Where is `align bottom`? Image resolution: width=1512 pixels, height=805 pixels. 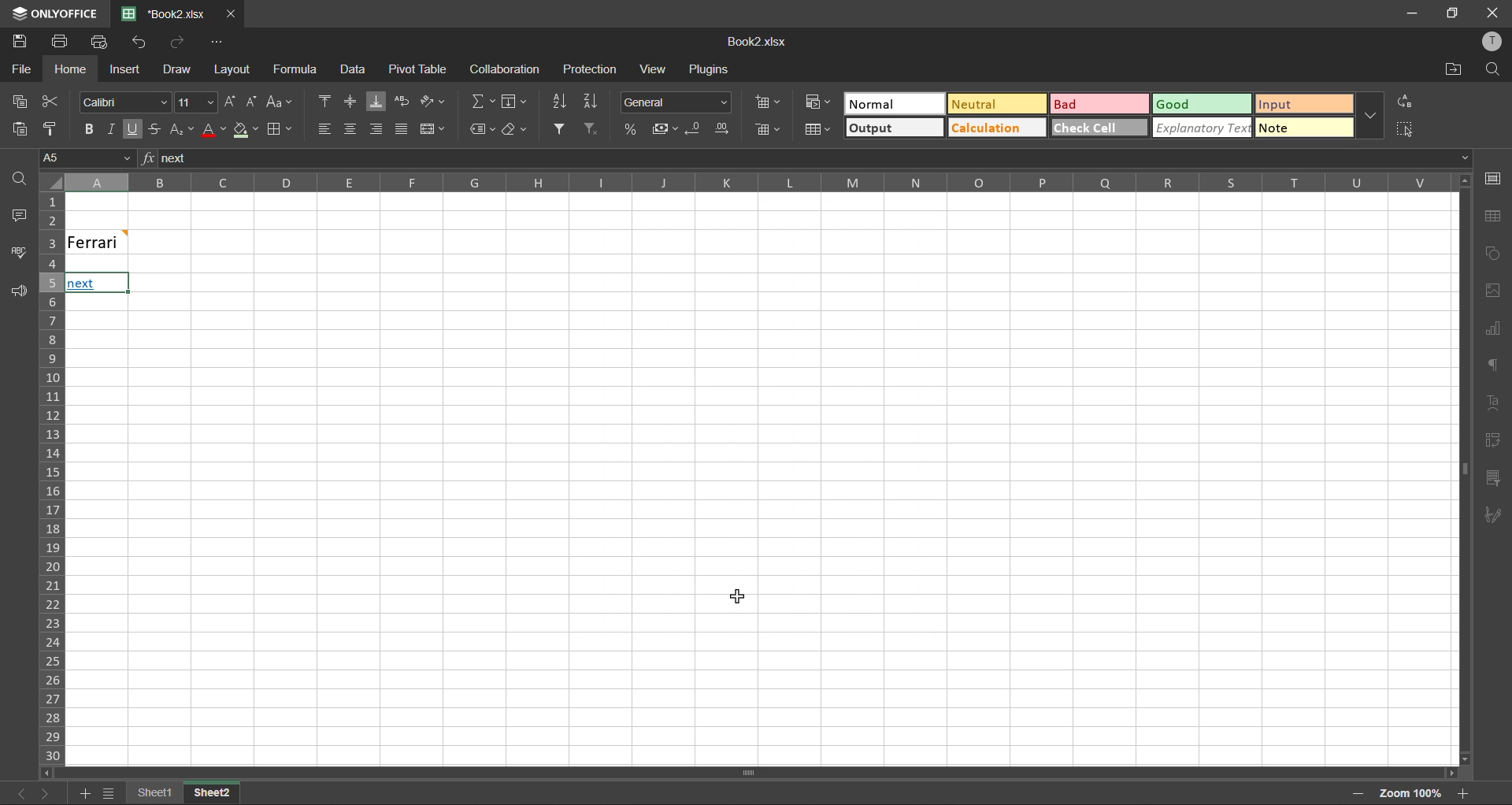
align bottom is located at coordinates (375, 102).